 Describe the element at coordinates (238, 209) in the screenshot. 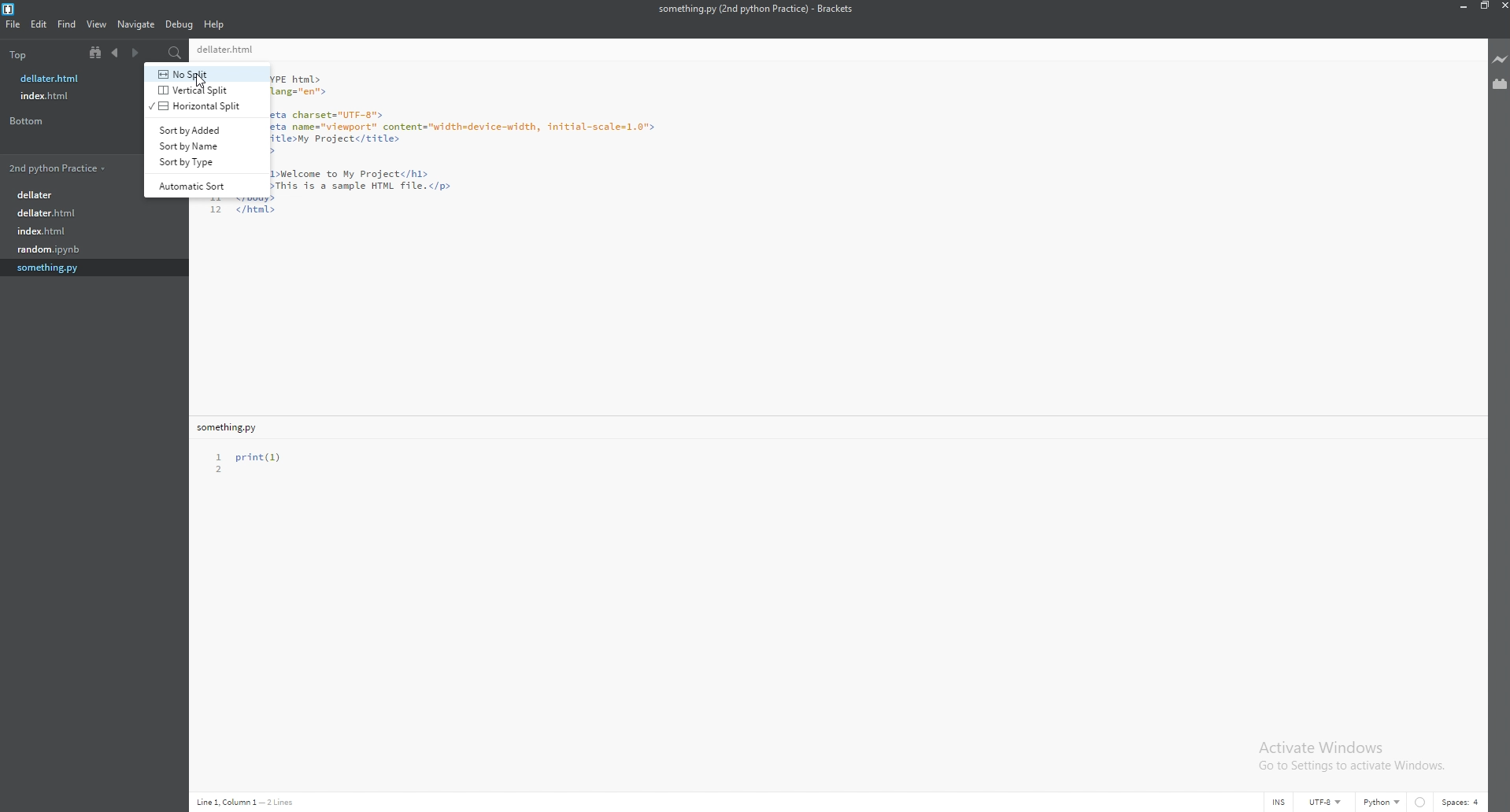

I see `code` at that location.